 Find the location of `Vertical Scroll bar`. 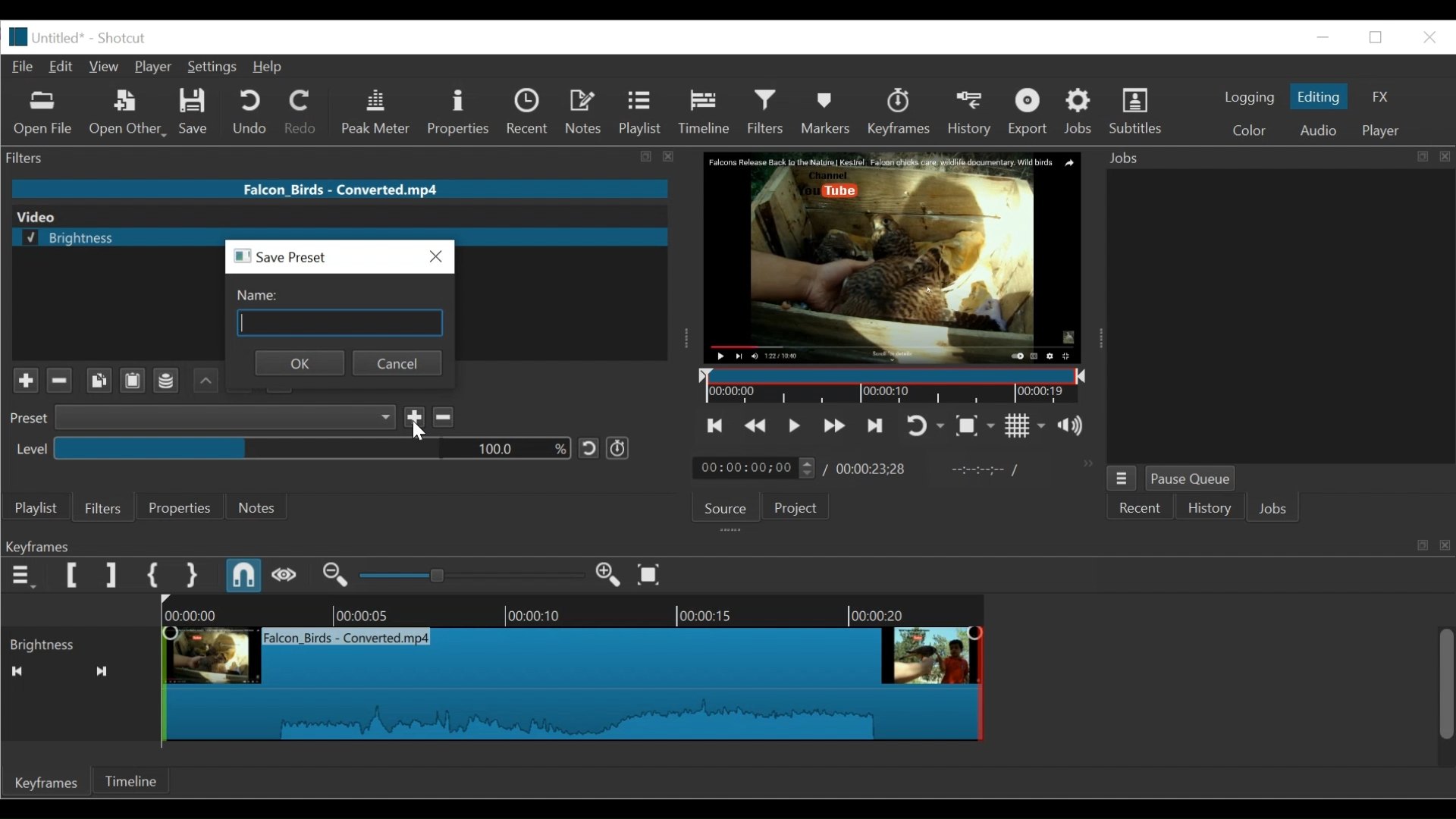

Vertical Scroll bar is located at coordinates (1446, 686).